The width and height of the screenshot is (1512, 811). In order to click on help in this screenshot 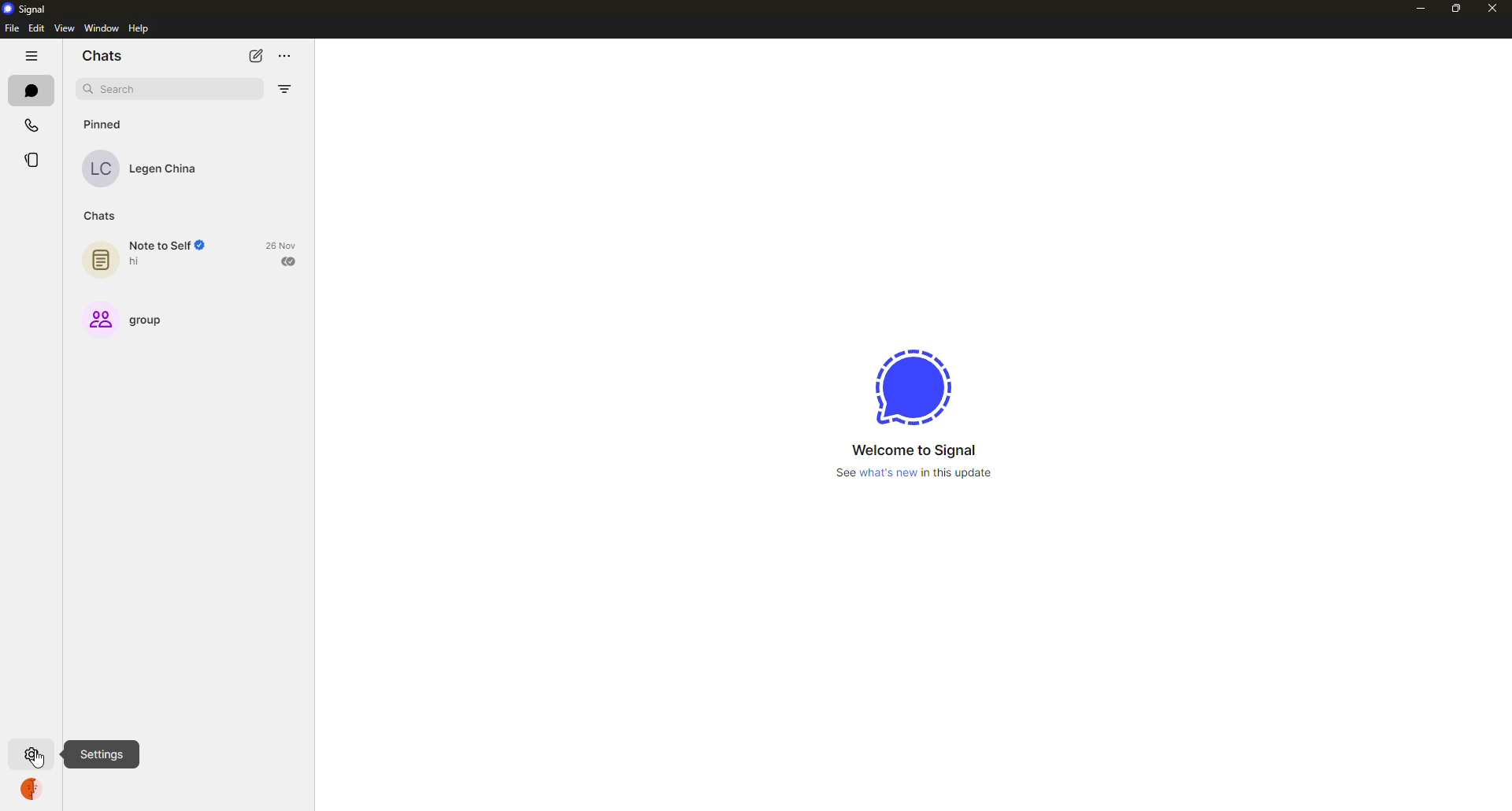, I will do `click(139, 29)`.